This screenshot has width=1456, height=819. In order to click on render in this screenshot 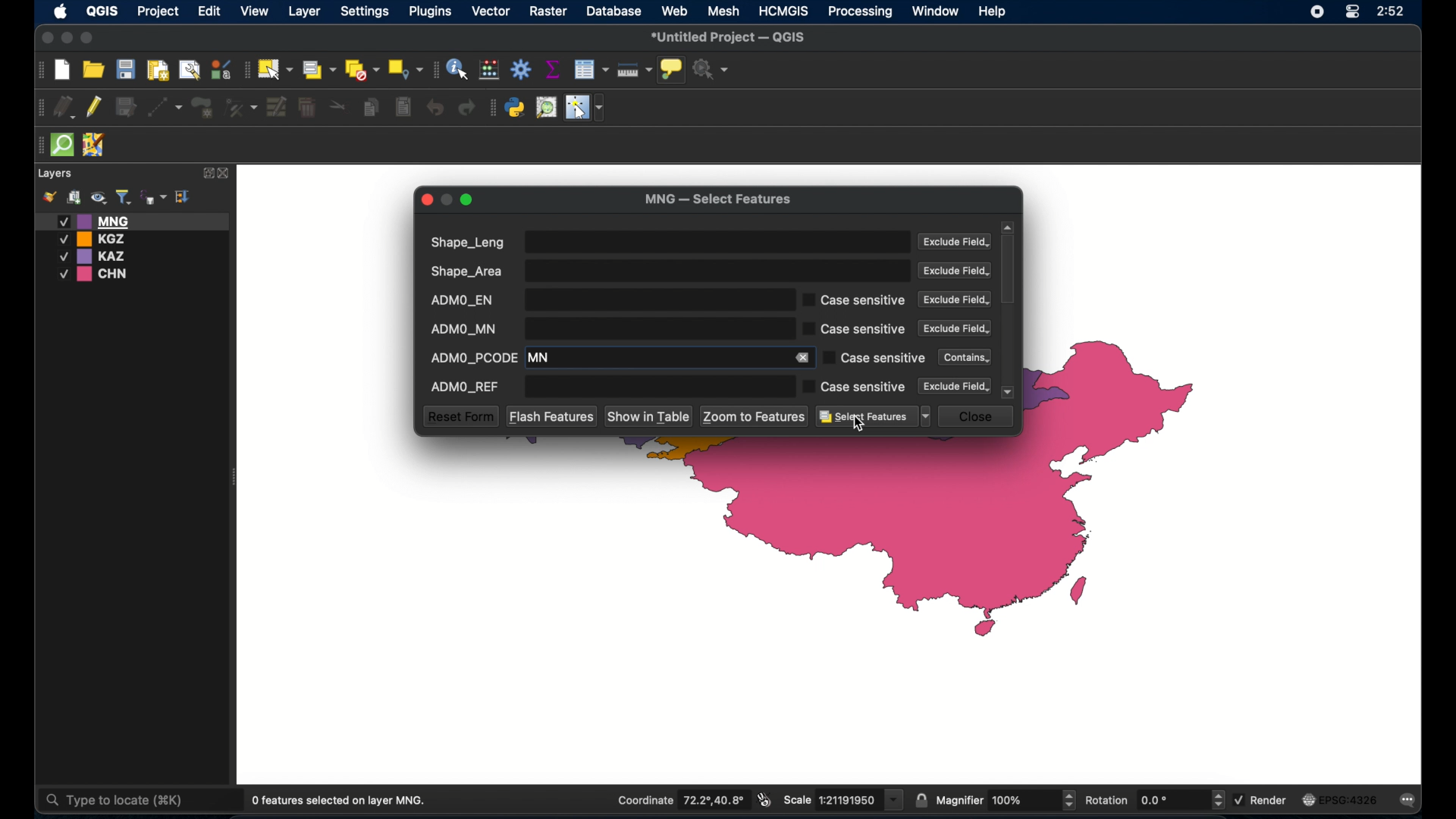, I will do `click(1264, 799)`.